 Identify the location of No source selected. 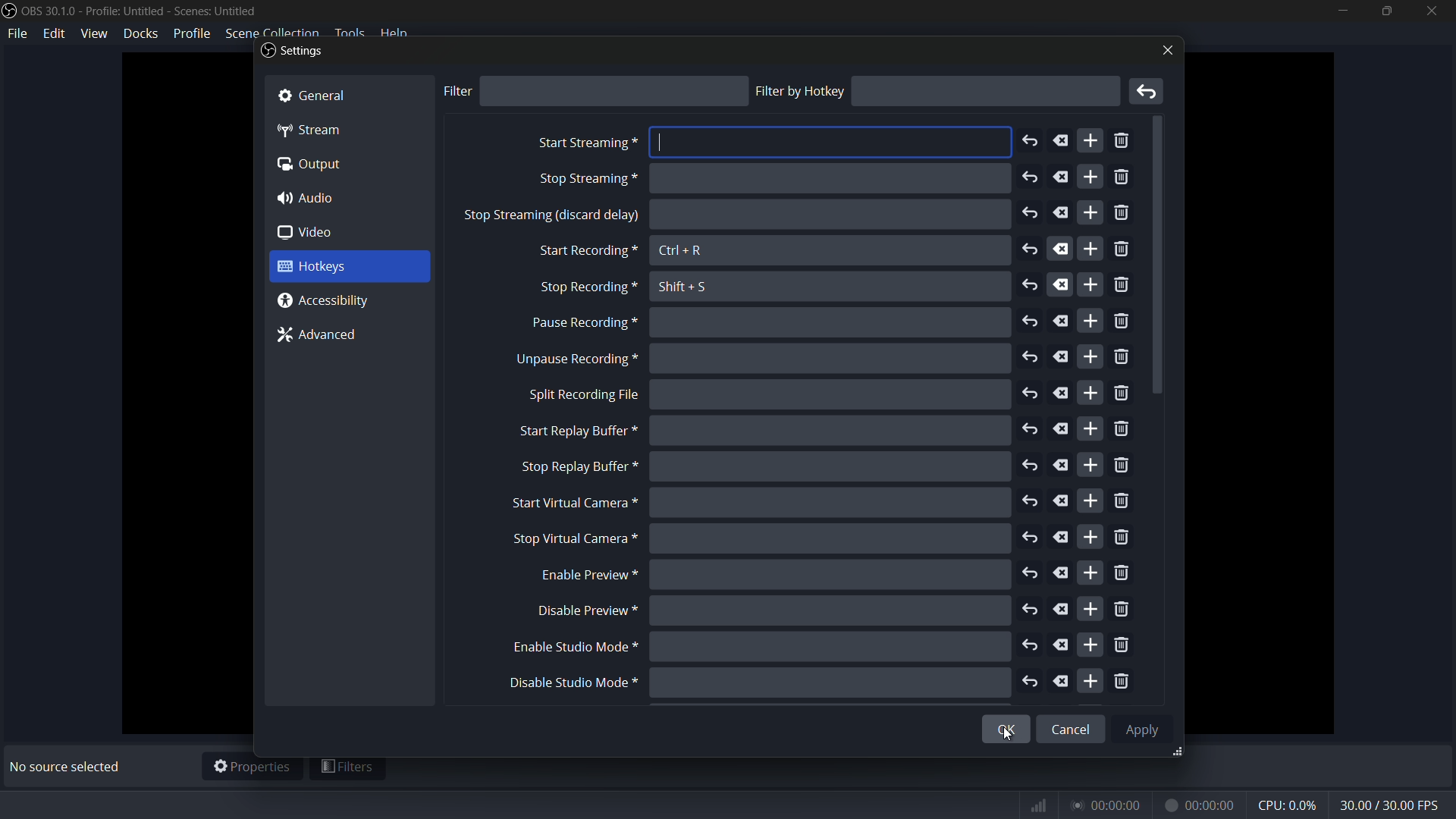
(69, 767).